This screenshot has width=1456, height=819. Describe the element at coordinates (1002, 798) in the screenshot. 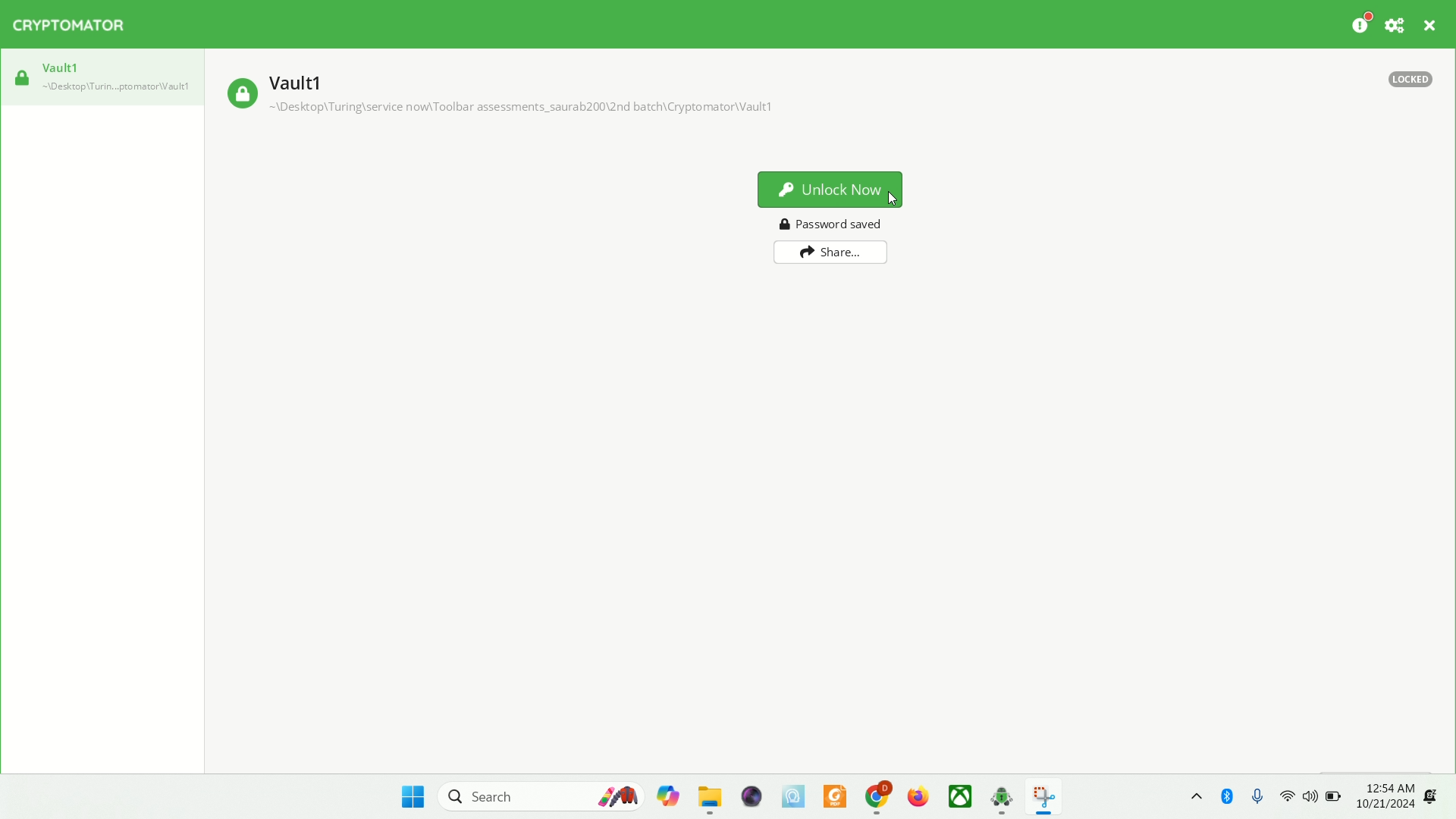

I see `cryptomator` at that location.